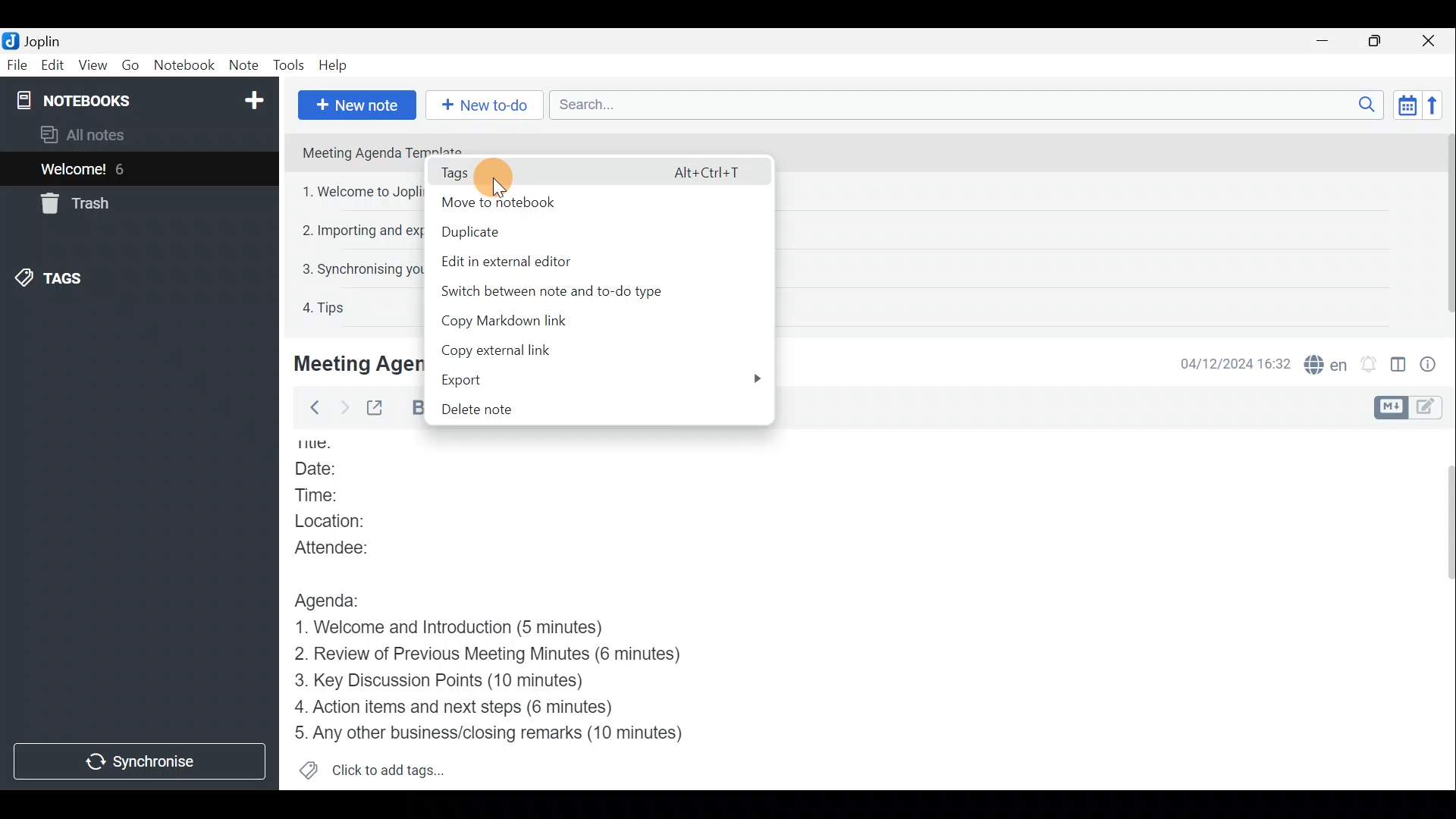  Describe the element at coordinates (337, 598) in the screenshot. I see `Agenda:` at that location.